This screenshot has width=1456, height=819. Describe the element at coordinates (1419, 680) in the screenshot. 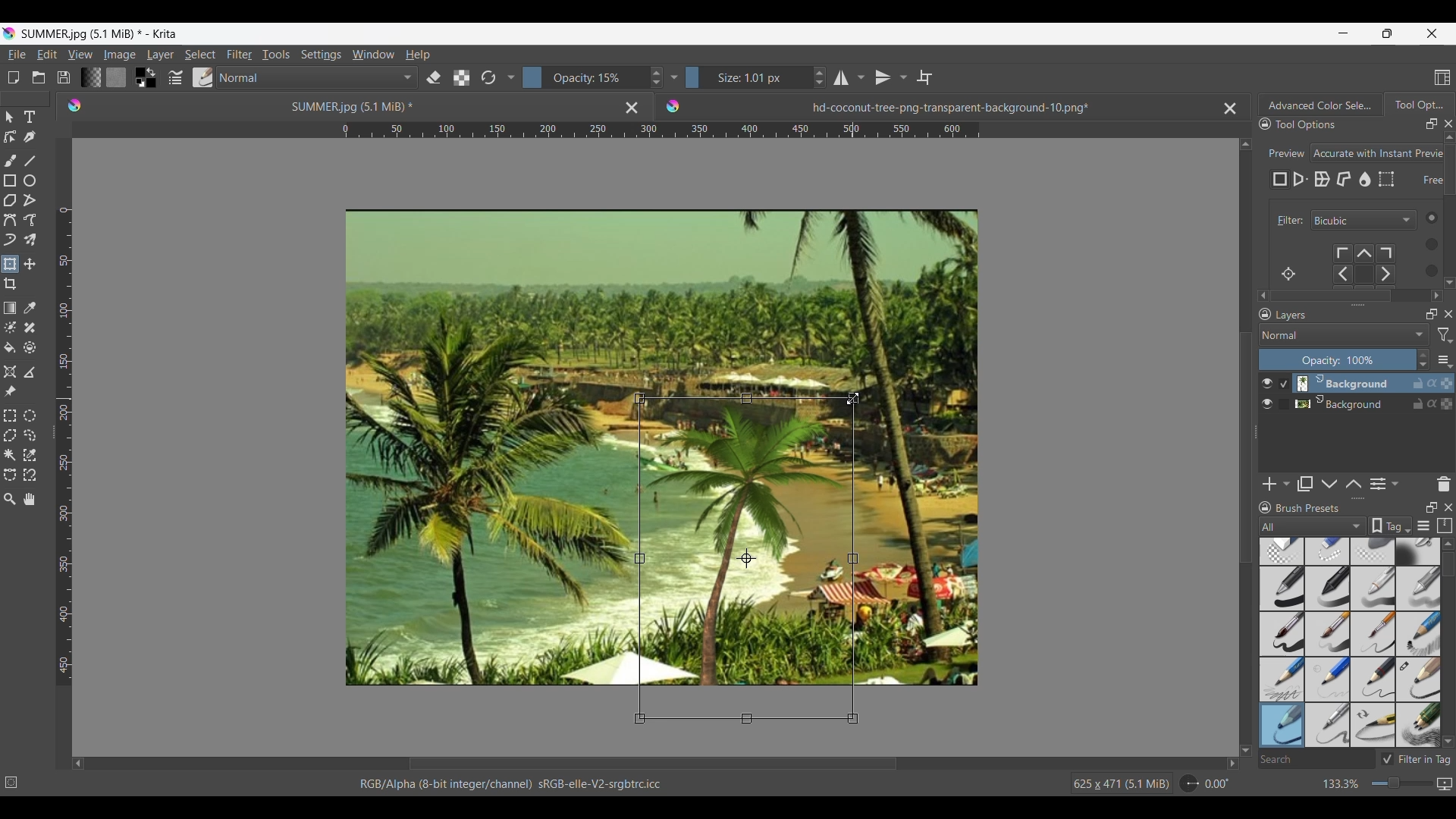

I see `pencil 3 - large 4b` at that location.